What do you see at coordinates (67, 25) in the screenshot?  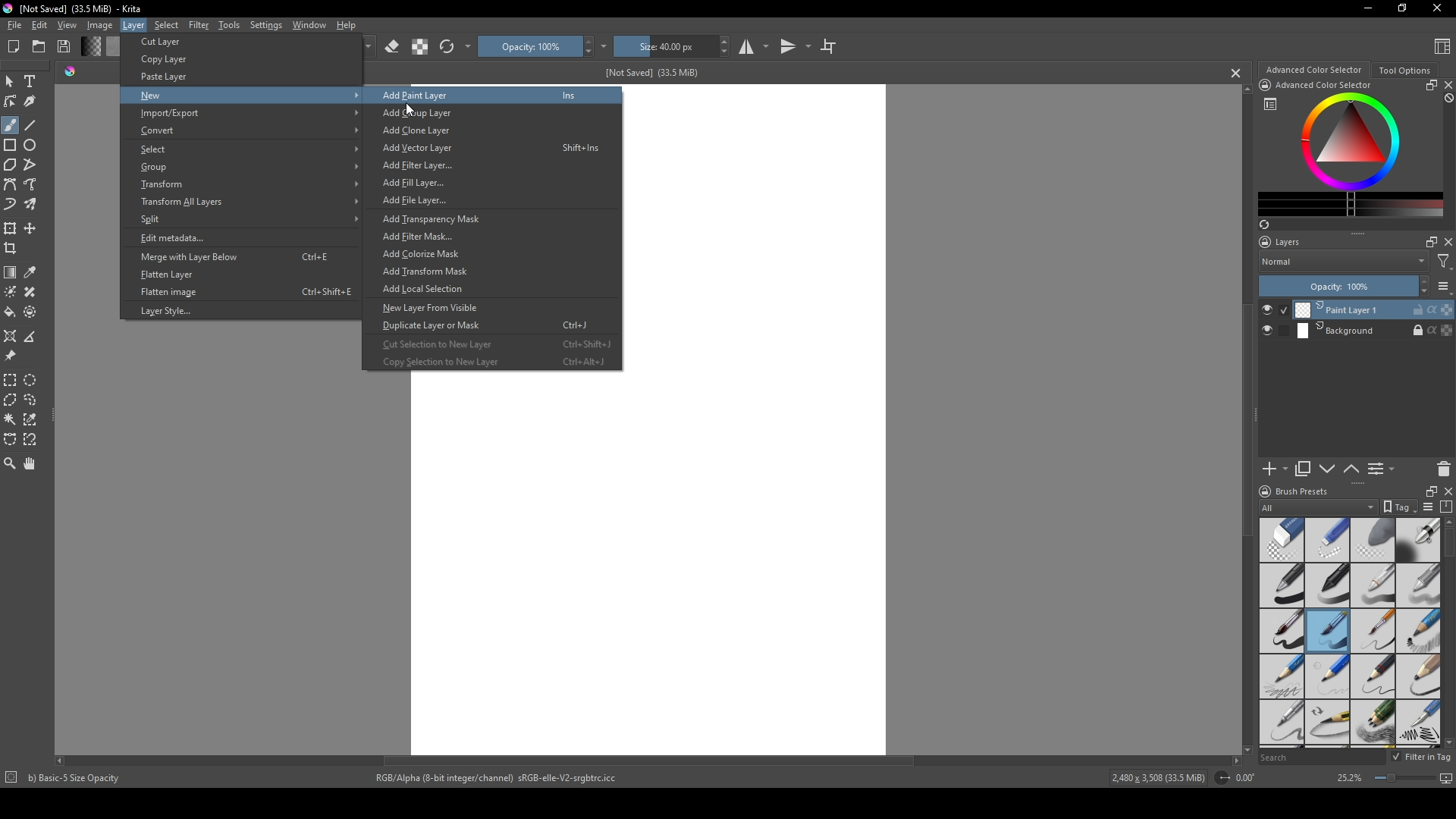 I see `View` at bounding box center [67, 25].